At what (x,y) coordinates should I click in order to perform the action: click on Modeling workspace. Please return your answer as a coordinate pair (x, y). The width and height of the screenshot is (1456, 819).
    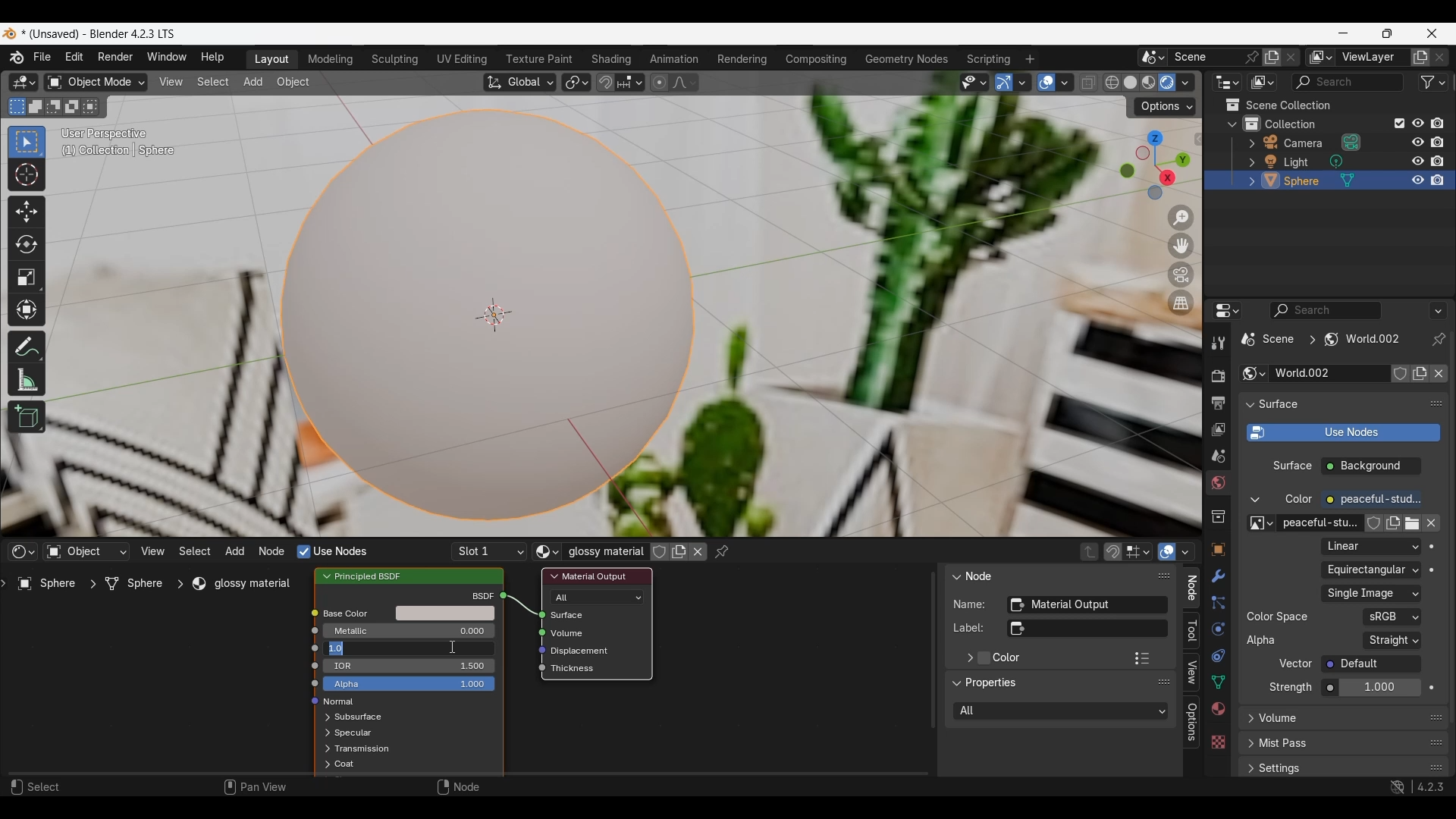
    Looking at the image, I should click on (331, 59).